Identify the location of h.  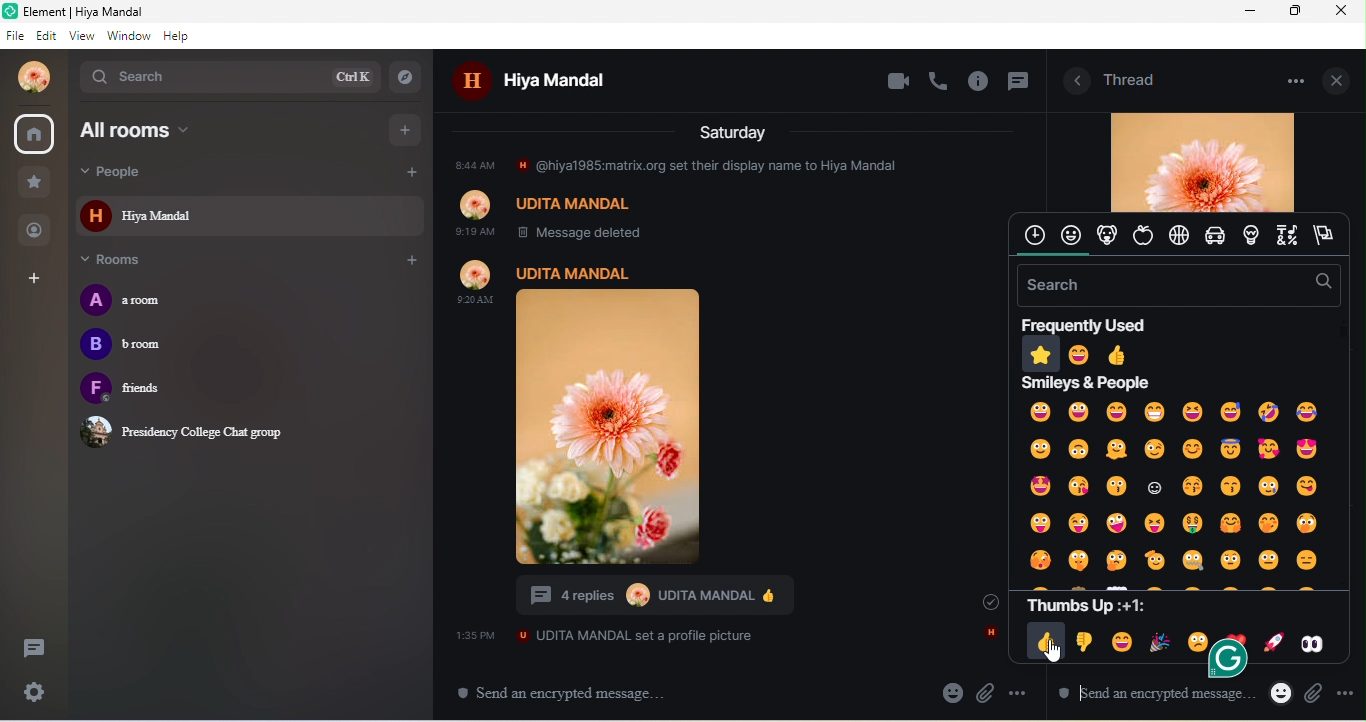
(989, 634).